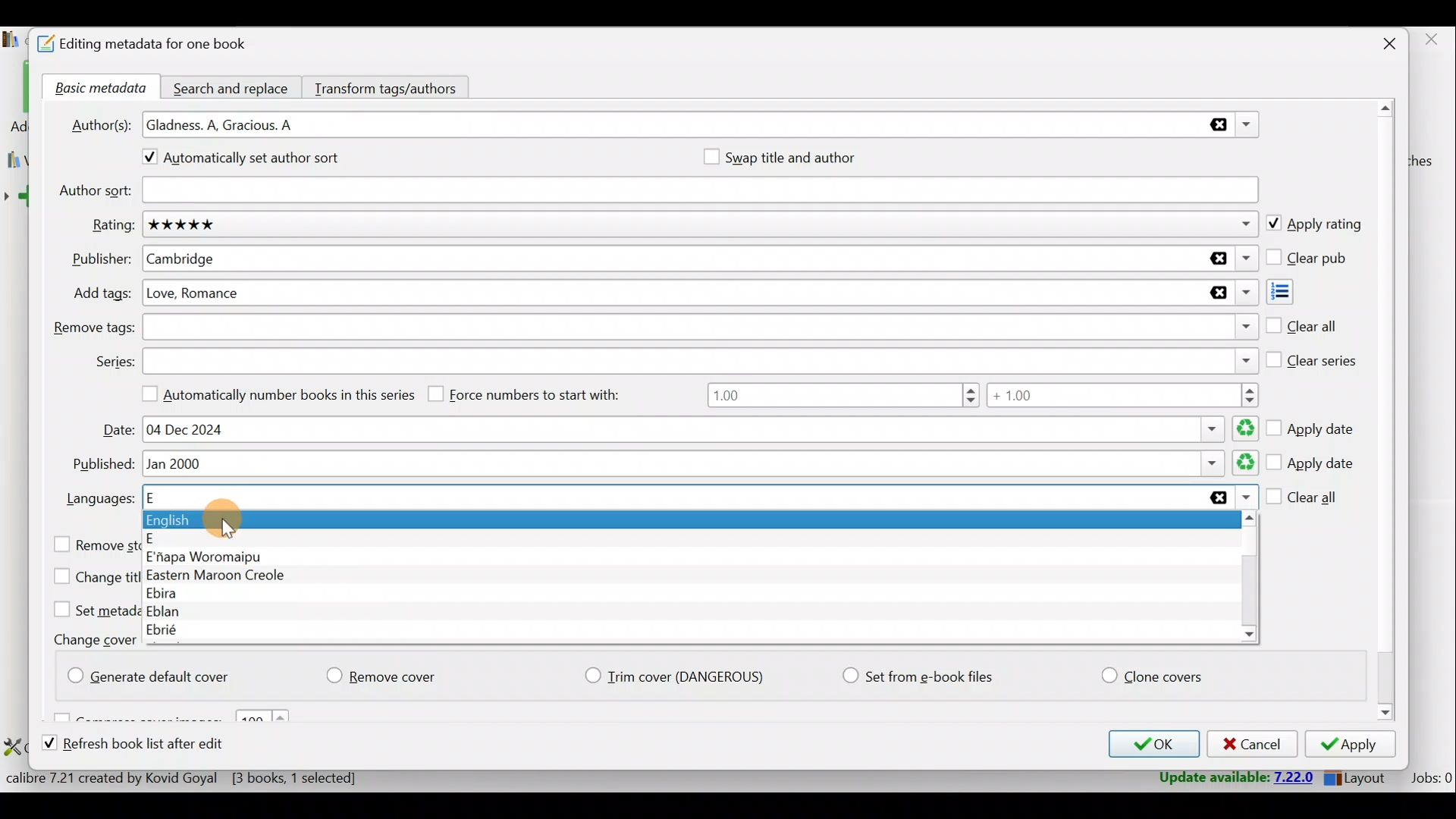  I want to click on Cursor, so click(224, 532).